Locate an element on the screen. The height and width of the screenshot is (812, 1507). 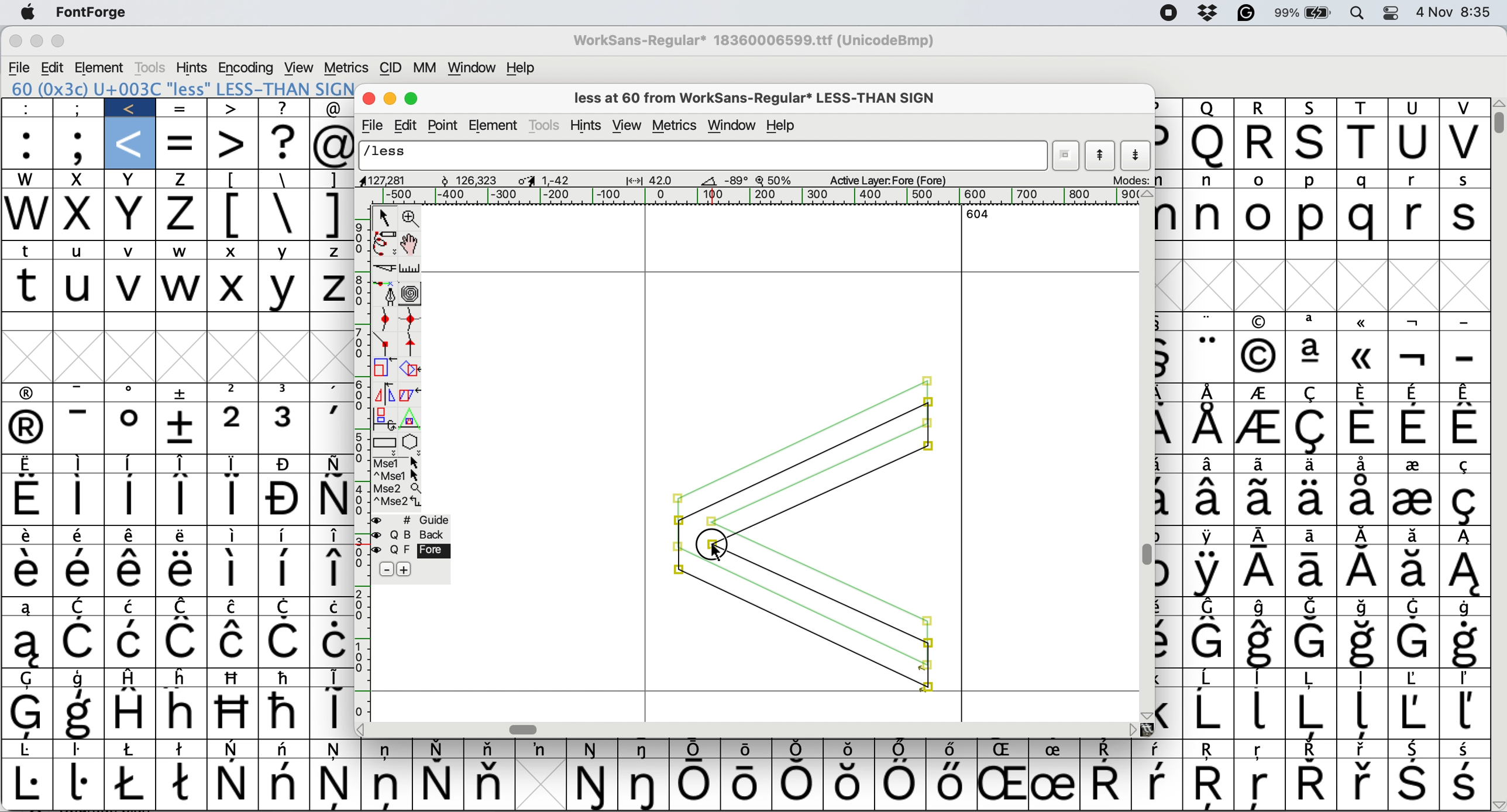
flip the selection is located at coordinates (381, 393).